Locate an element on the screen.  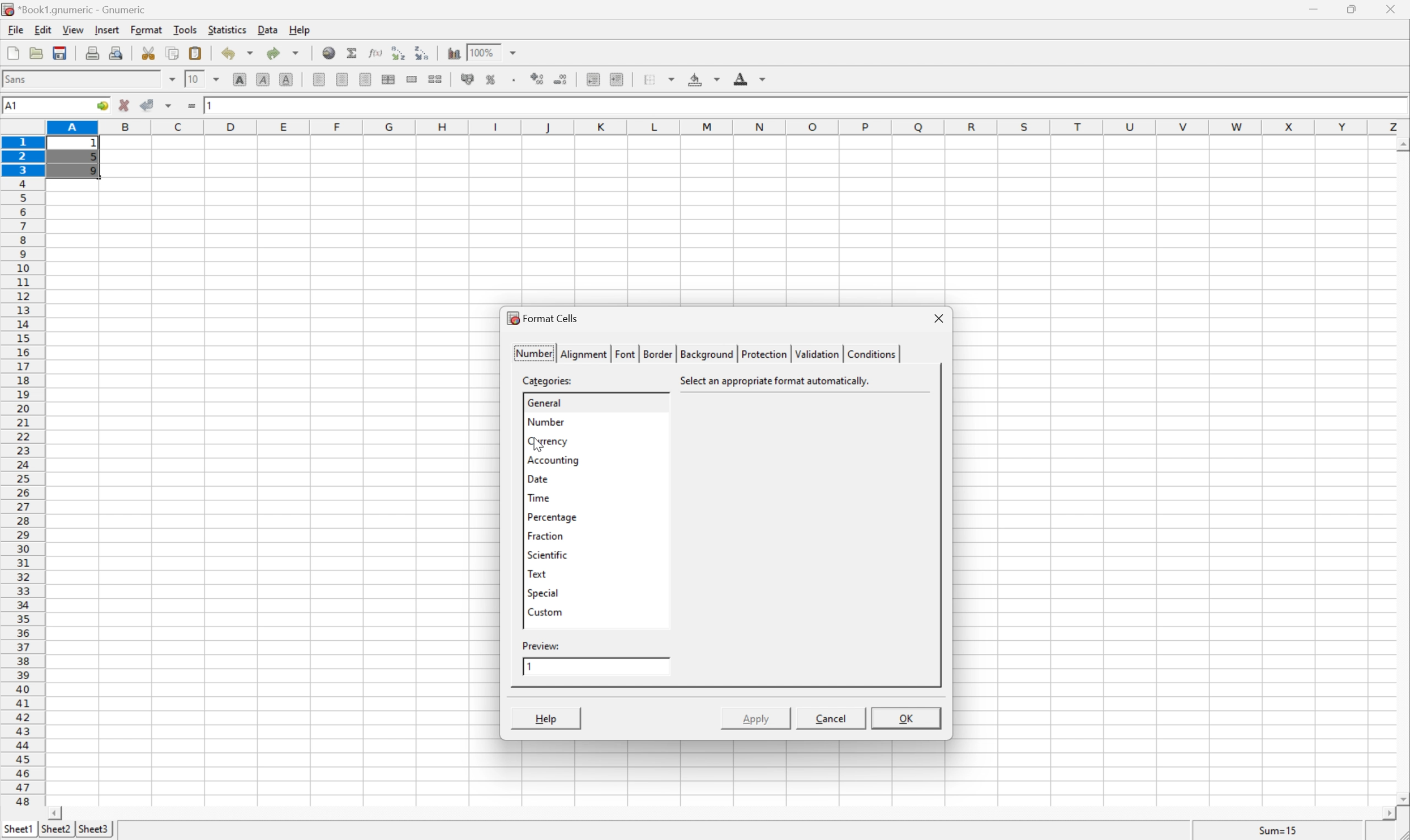
undo is located at coordinates (239, 55).